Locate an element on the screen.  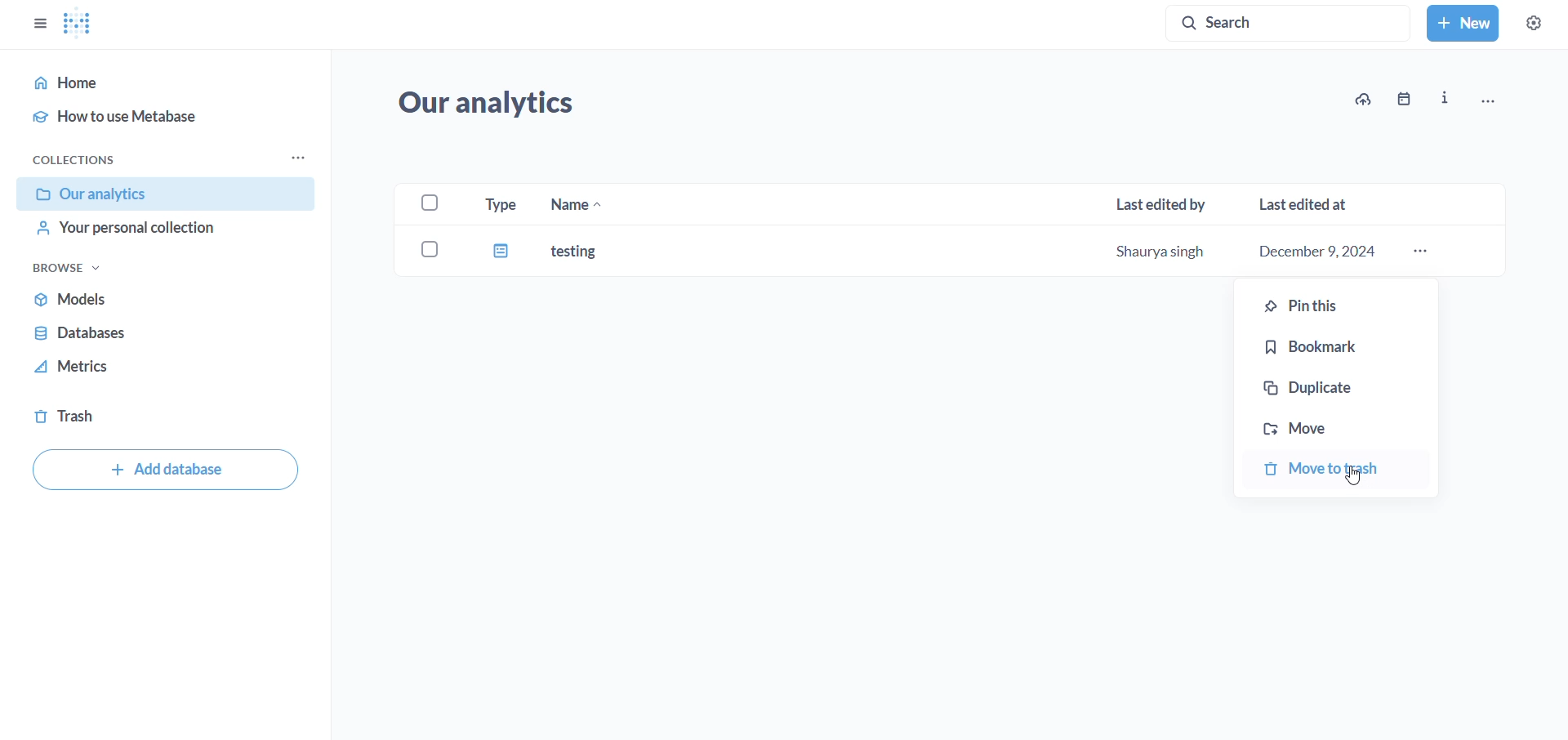
last edited at is located at coordinates (1308, 198).